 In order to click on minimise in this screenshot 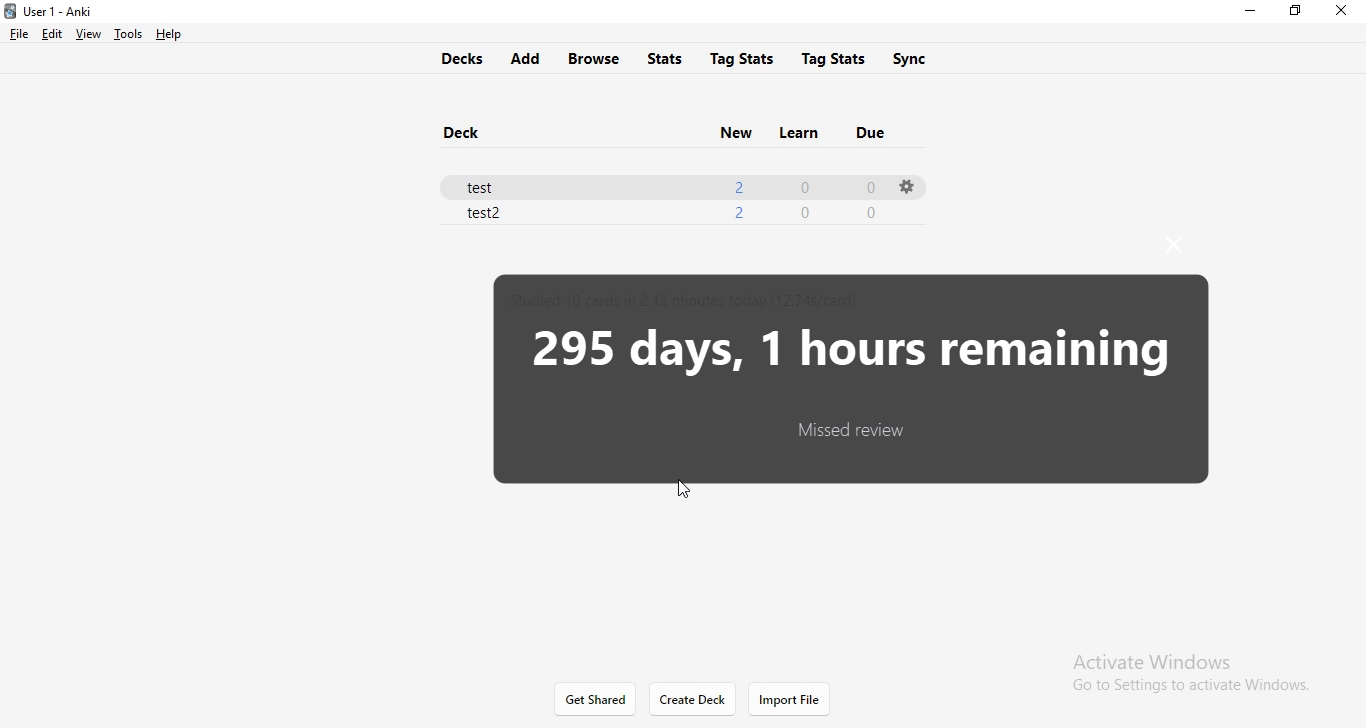, I will do `click(1249, 13)`.